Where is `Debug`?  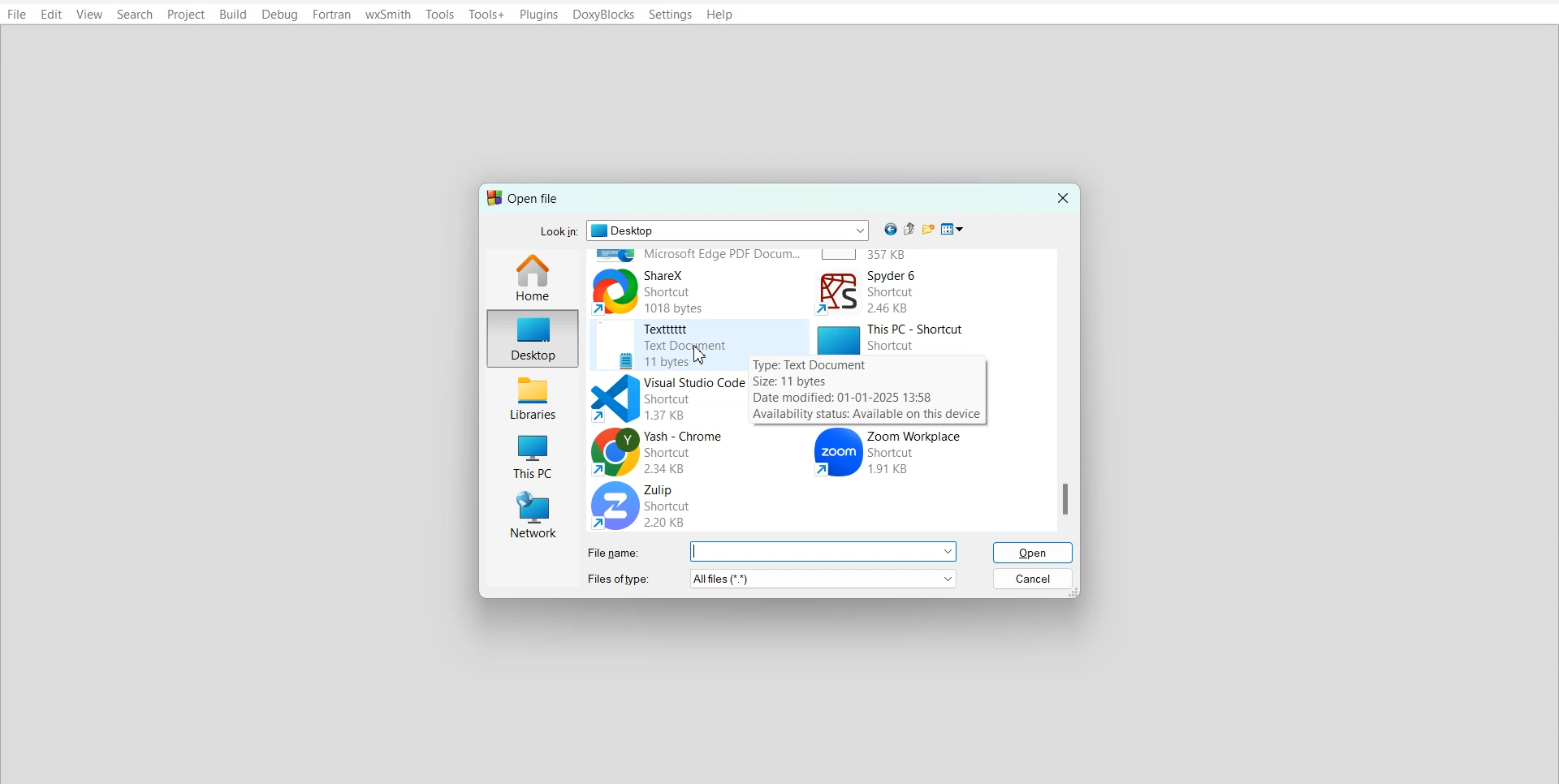 Debug is located at coordinates (279, 15).